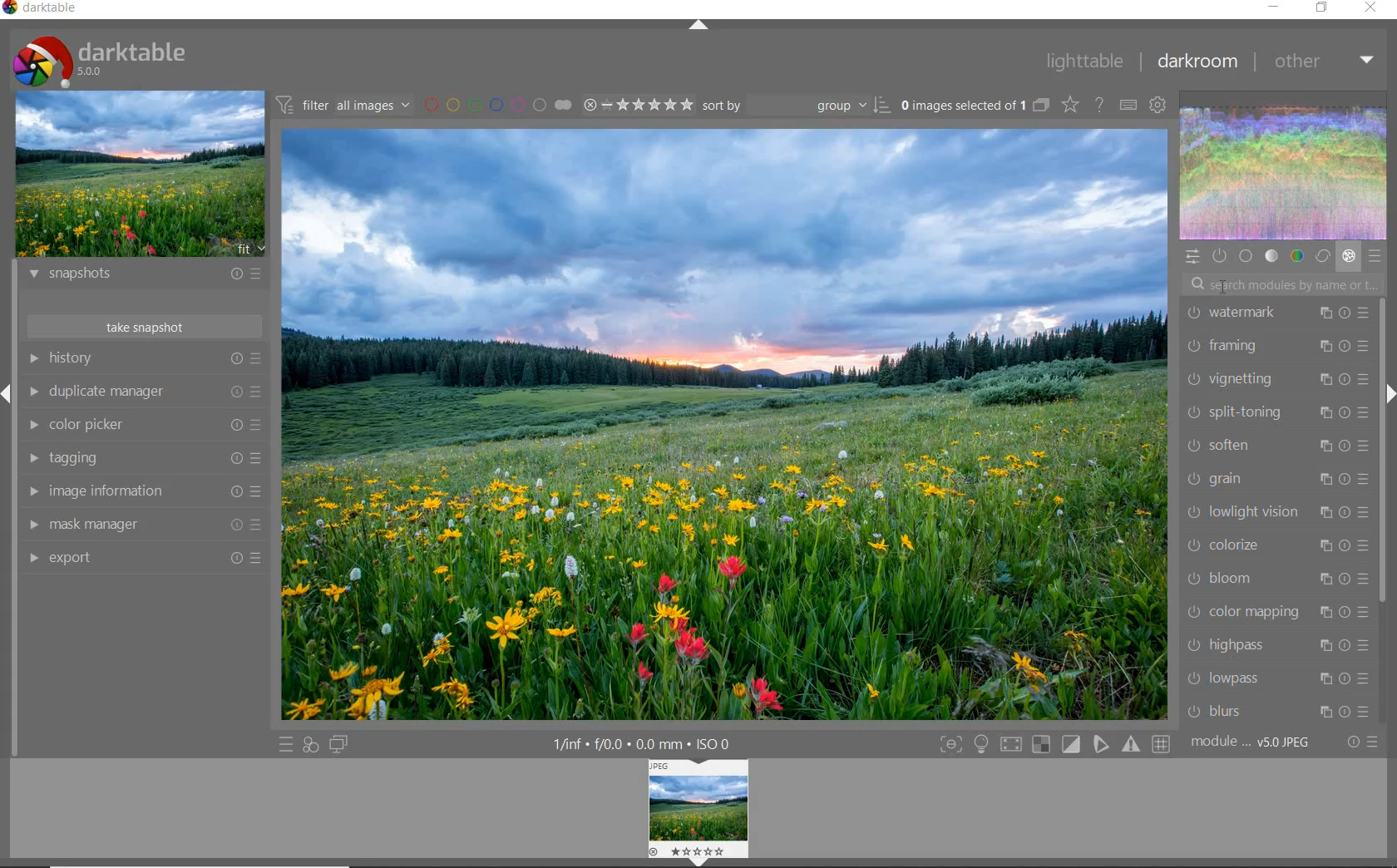 The image size is (1397, 868). What do you see at coordinates (342, 744) in the screenshot?
I see `display a second darkroom image below` at bounding box center [342, 744].